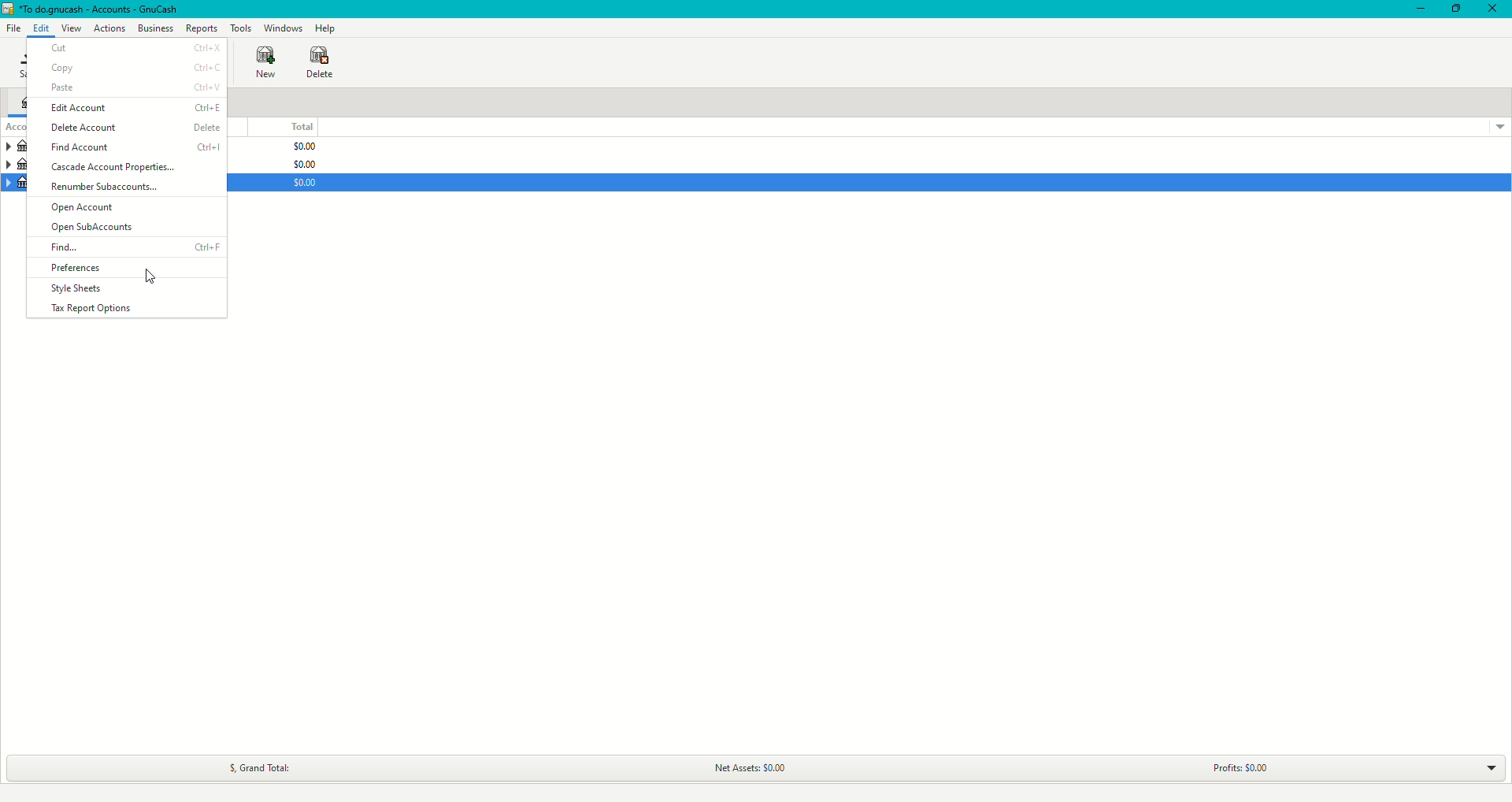  Describe the element at coordinates (13, 27) in the screenshot. I see `File` at that location.